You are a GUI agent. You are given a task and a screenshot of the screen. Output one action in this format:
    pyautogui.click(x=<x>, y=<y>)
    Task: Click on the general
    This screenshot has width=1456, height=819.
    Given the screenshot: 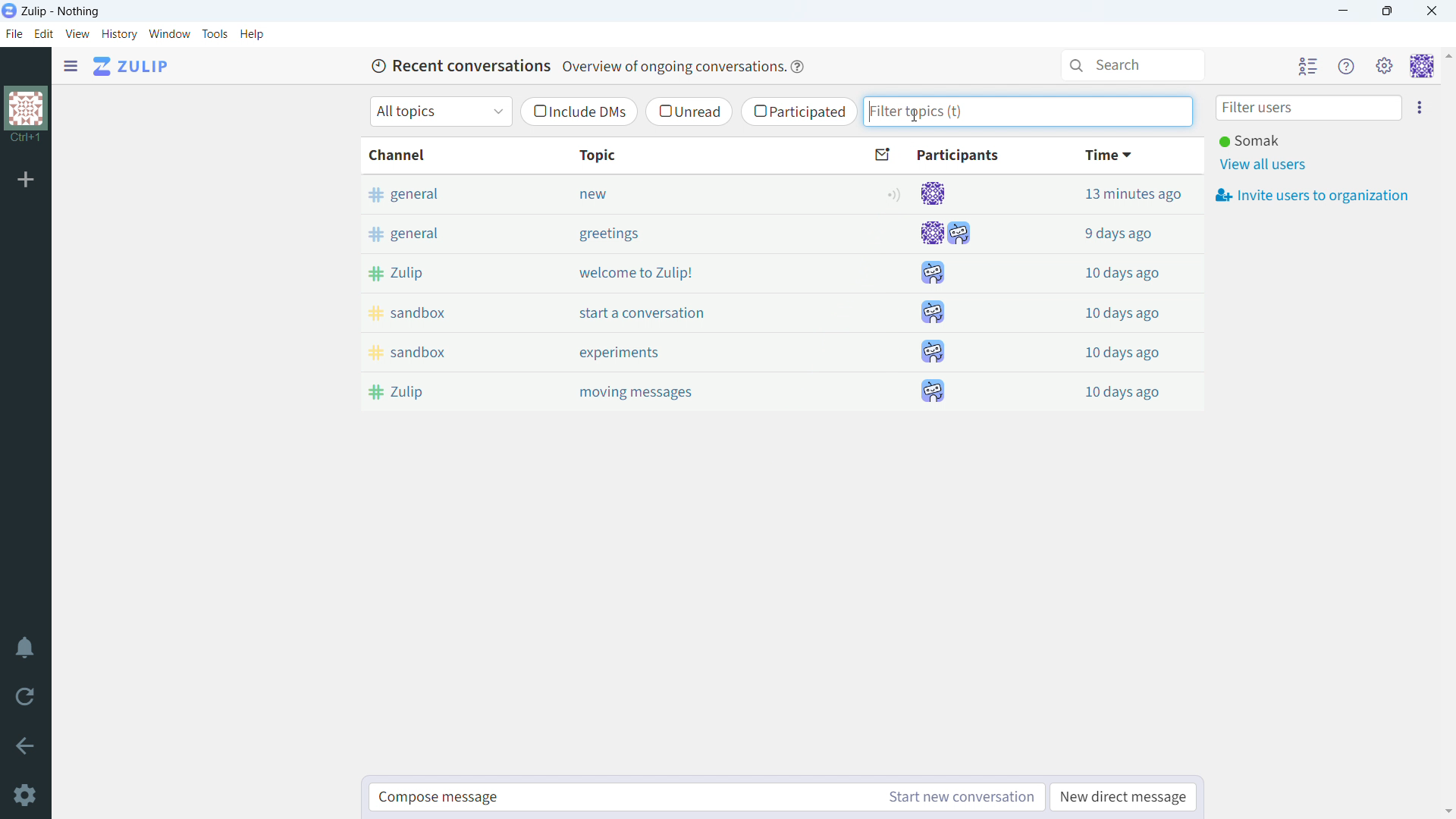 What is the action you would take?
    pyautogui.click(x=437, y=231)
    